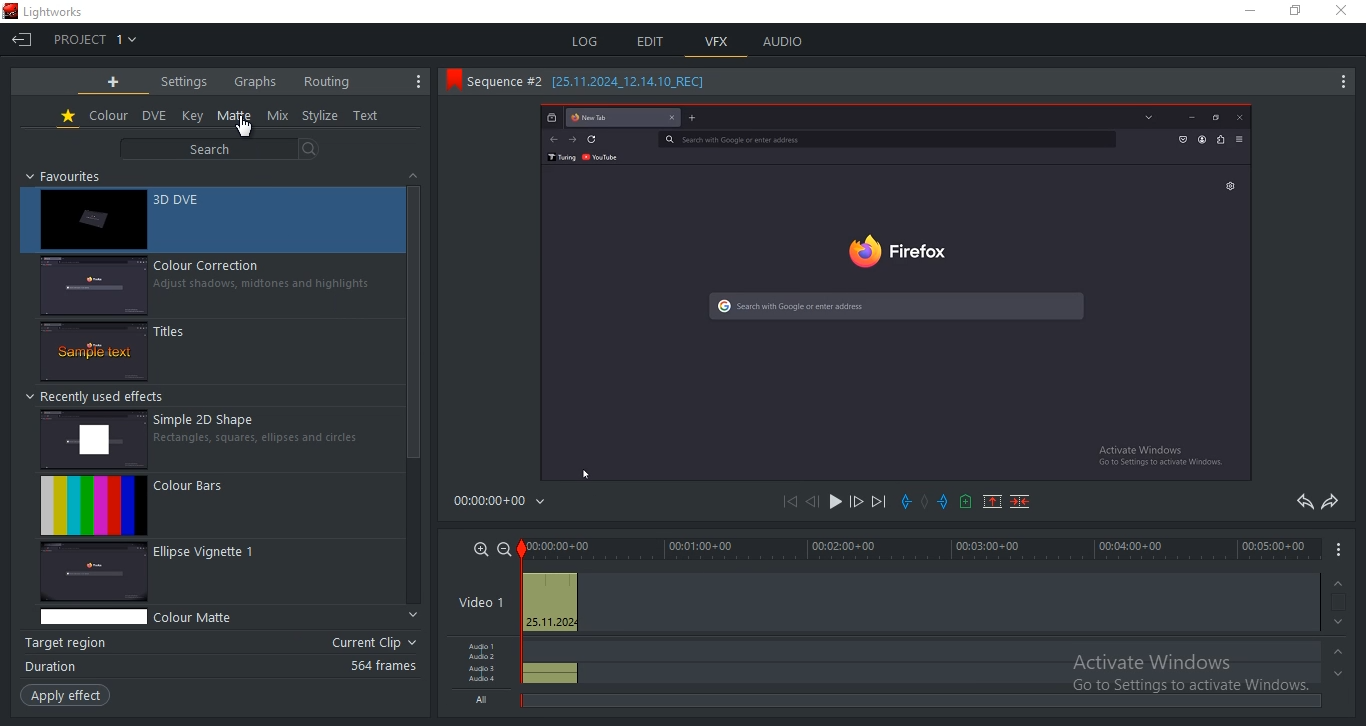  Describe the element at coordinates (785, 41) in the screenshot. I see `audio` at that location.